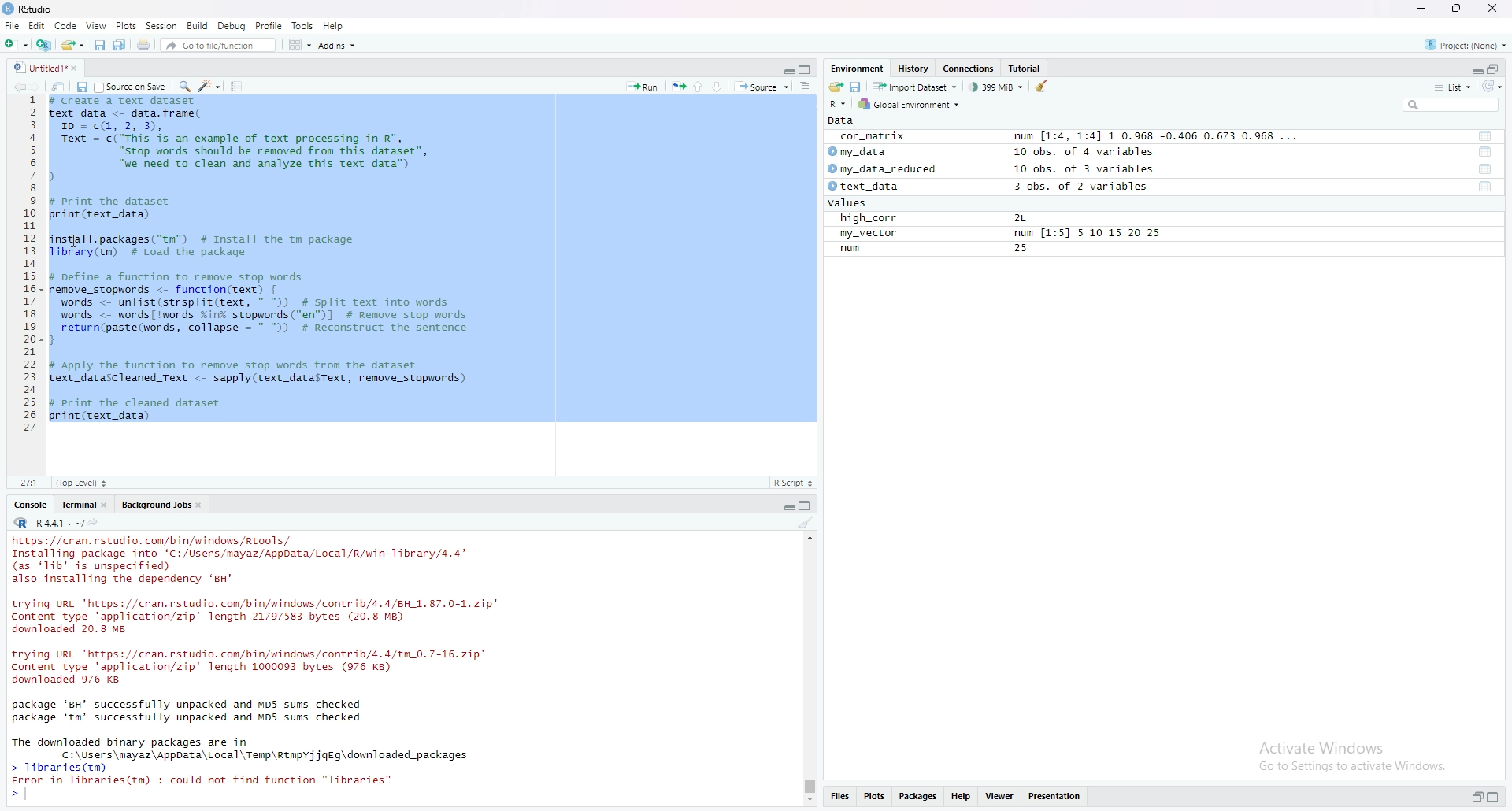  Describe the element at coordinates (807, 505) in the screenshot. I see `collapse` at that location.